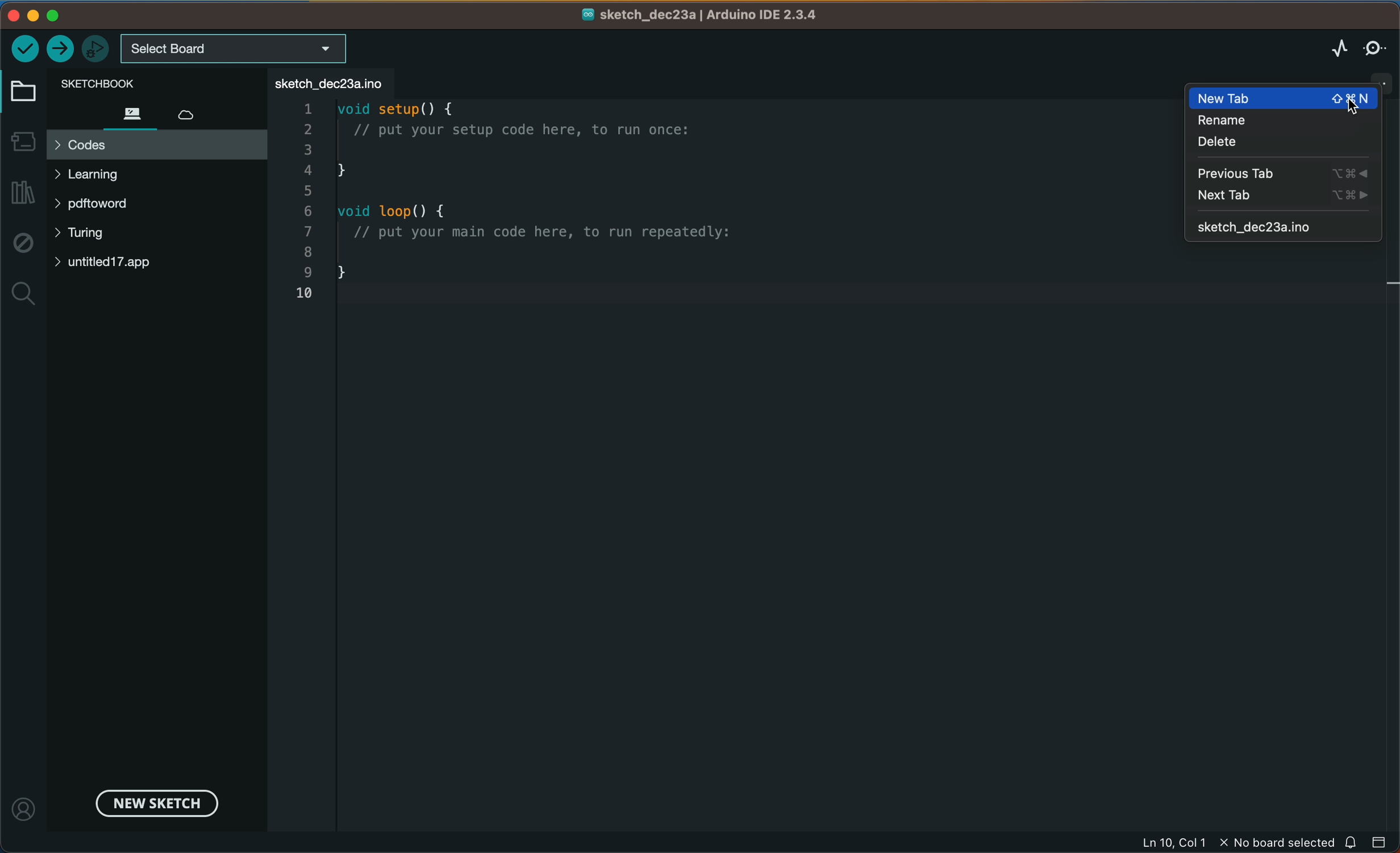 Image resolution: width=1400 pixels, height=853 pixels. Describe the element at coordinates (1236, 843) in the screenshot. I see `file information` at that location.